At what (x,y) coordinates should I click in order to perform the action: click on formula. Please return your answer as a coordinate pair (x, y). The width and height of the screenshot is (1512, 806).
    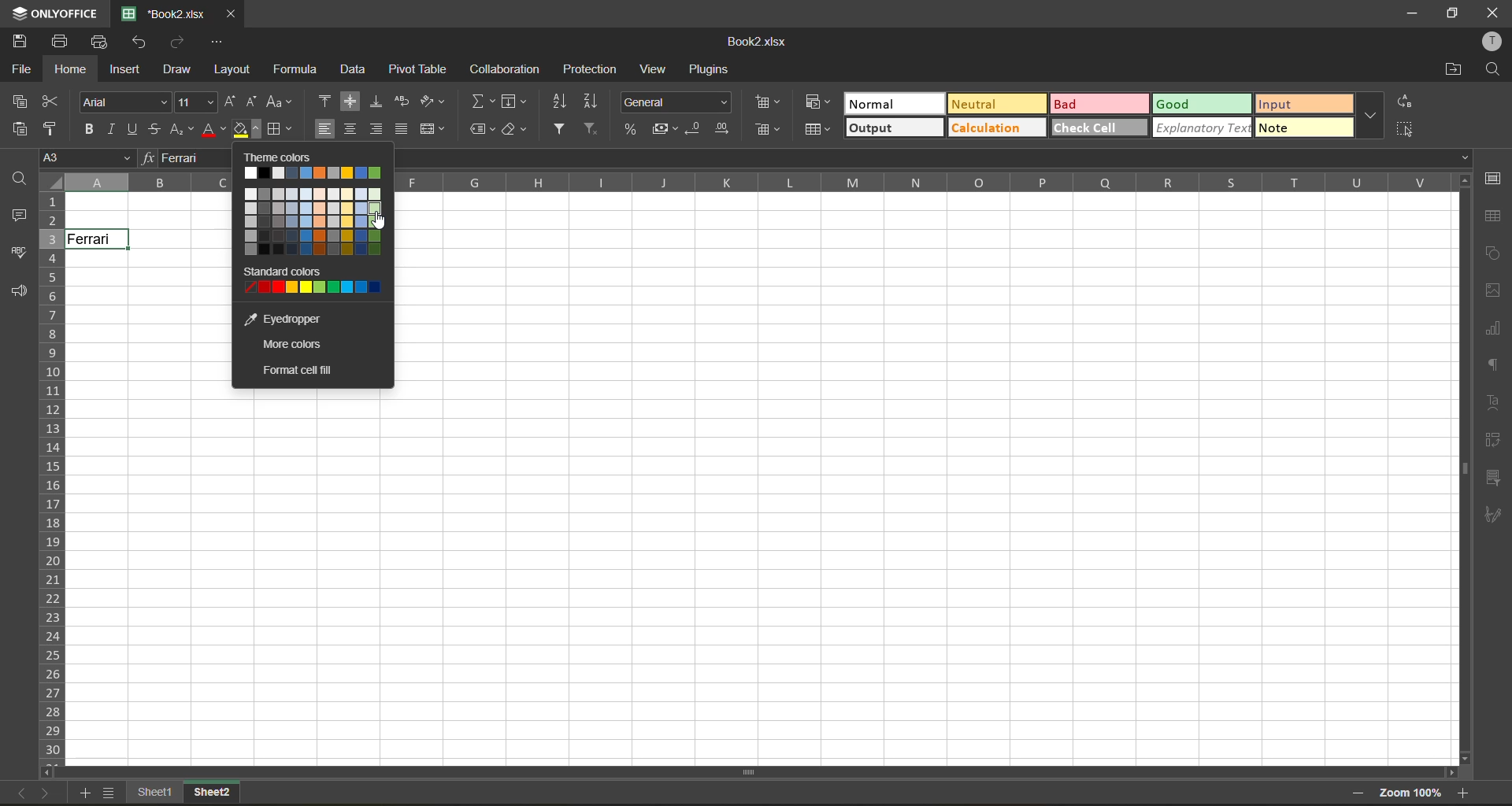
    Looking at the image, I should click on (294, 68).